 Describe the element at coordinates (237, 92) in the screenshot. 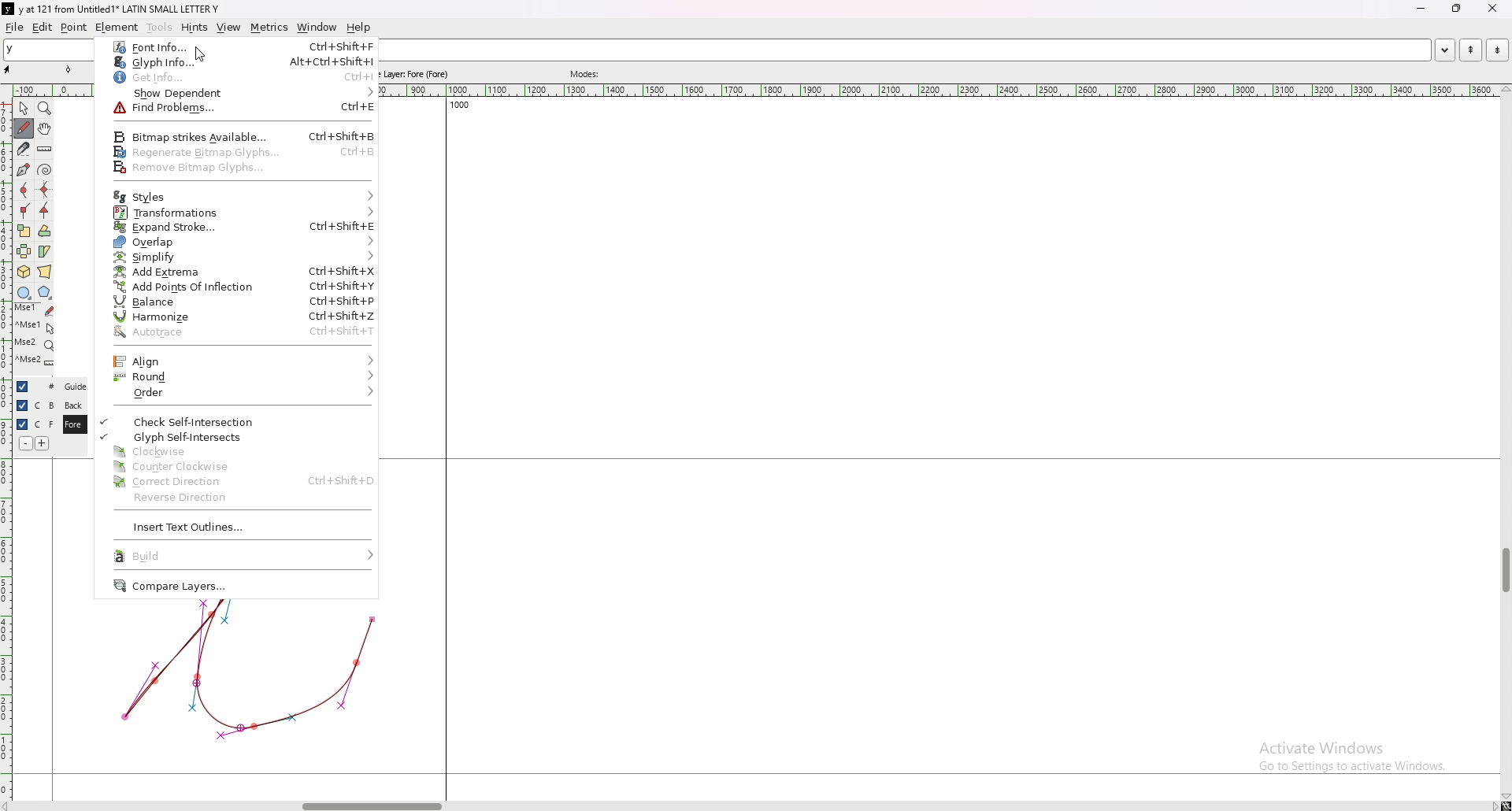

I see `show dependent` at that location.